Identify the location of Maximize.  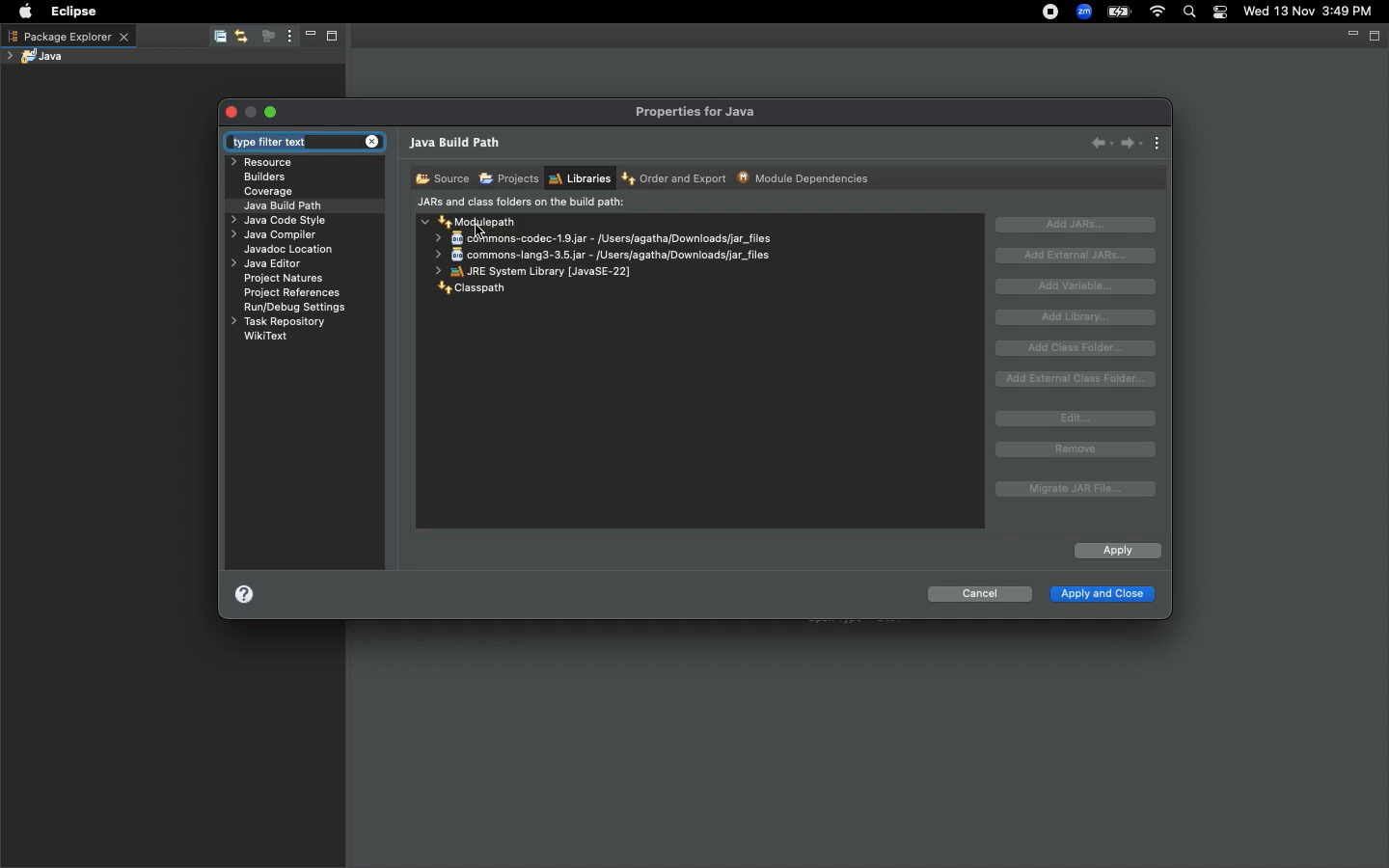
(1376, 37).